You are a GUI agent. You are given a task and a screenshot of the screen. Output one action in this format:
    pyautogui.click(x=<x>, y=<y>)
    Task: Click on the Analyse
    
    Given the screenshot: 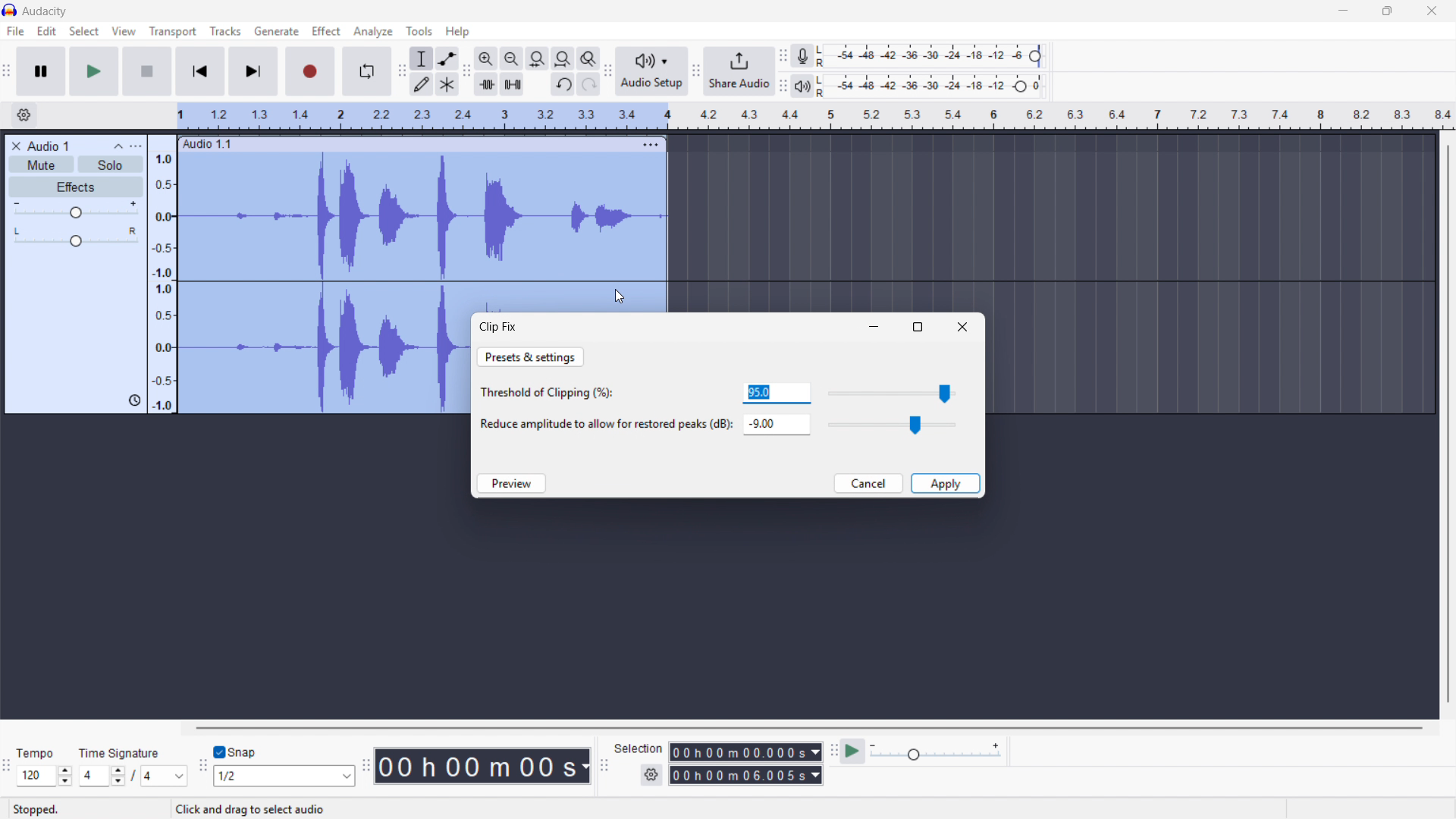 What is the action you would take?
    pyautogui.click(x=372, y=31)
    